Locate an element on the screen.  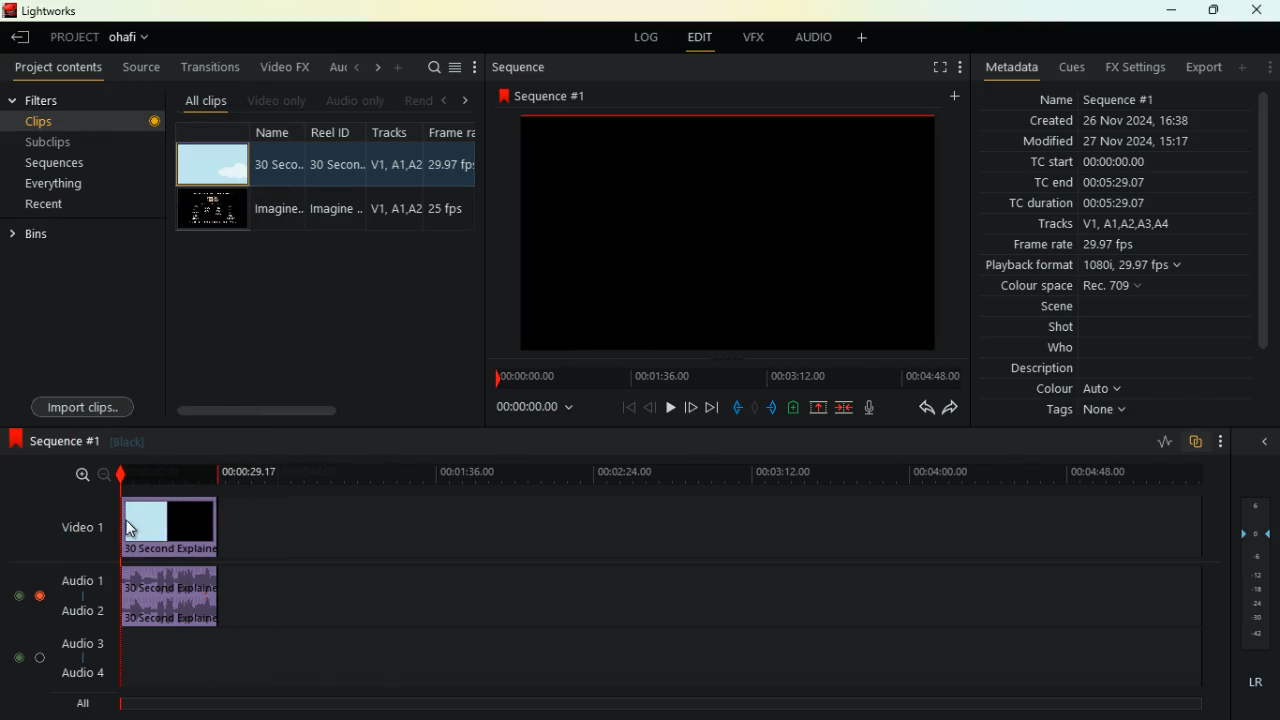
add is located at coordinates (1244, 67).